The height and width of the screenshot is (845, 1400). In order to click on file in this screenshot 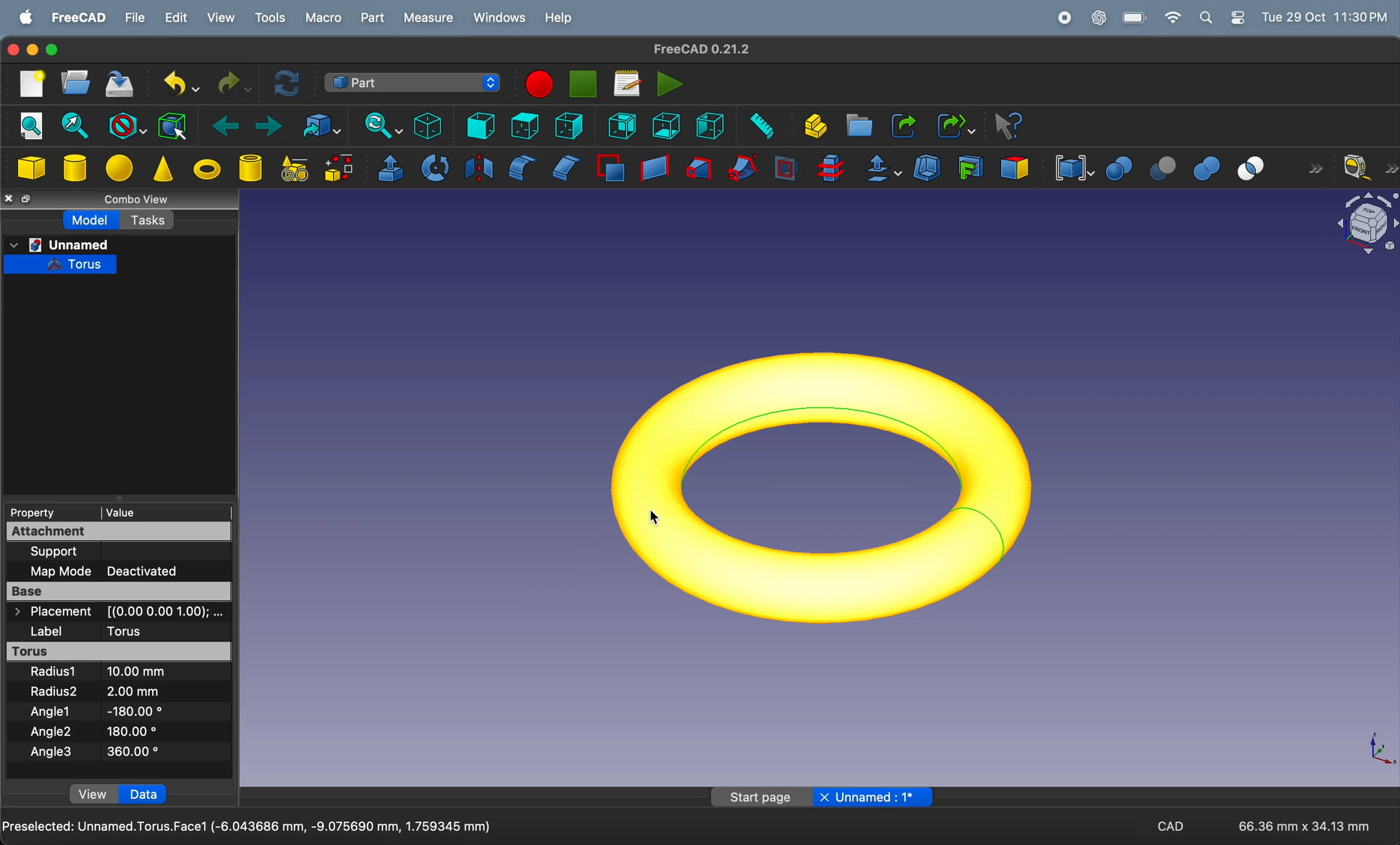, I will do `click(134, 18)`.